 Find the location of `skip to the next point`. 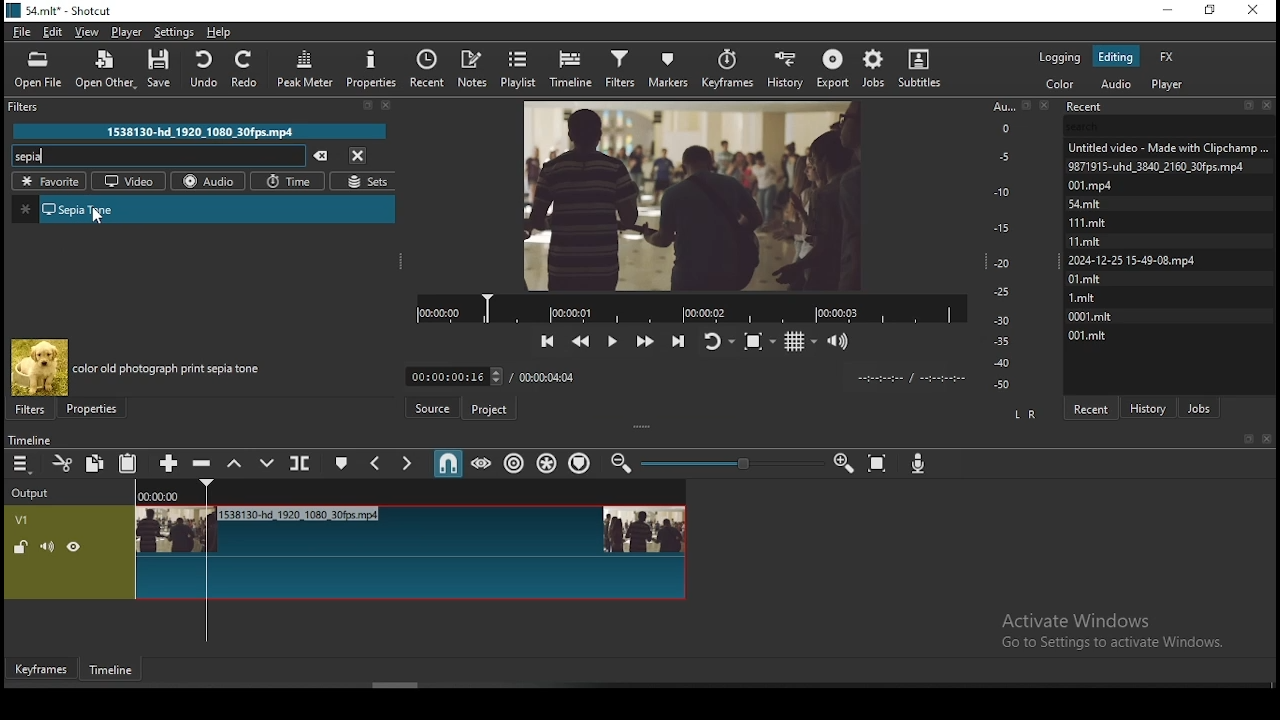

skip to the next point is located at coordinates (679, 341).